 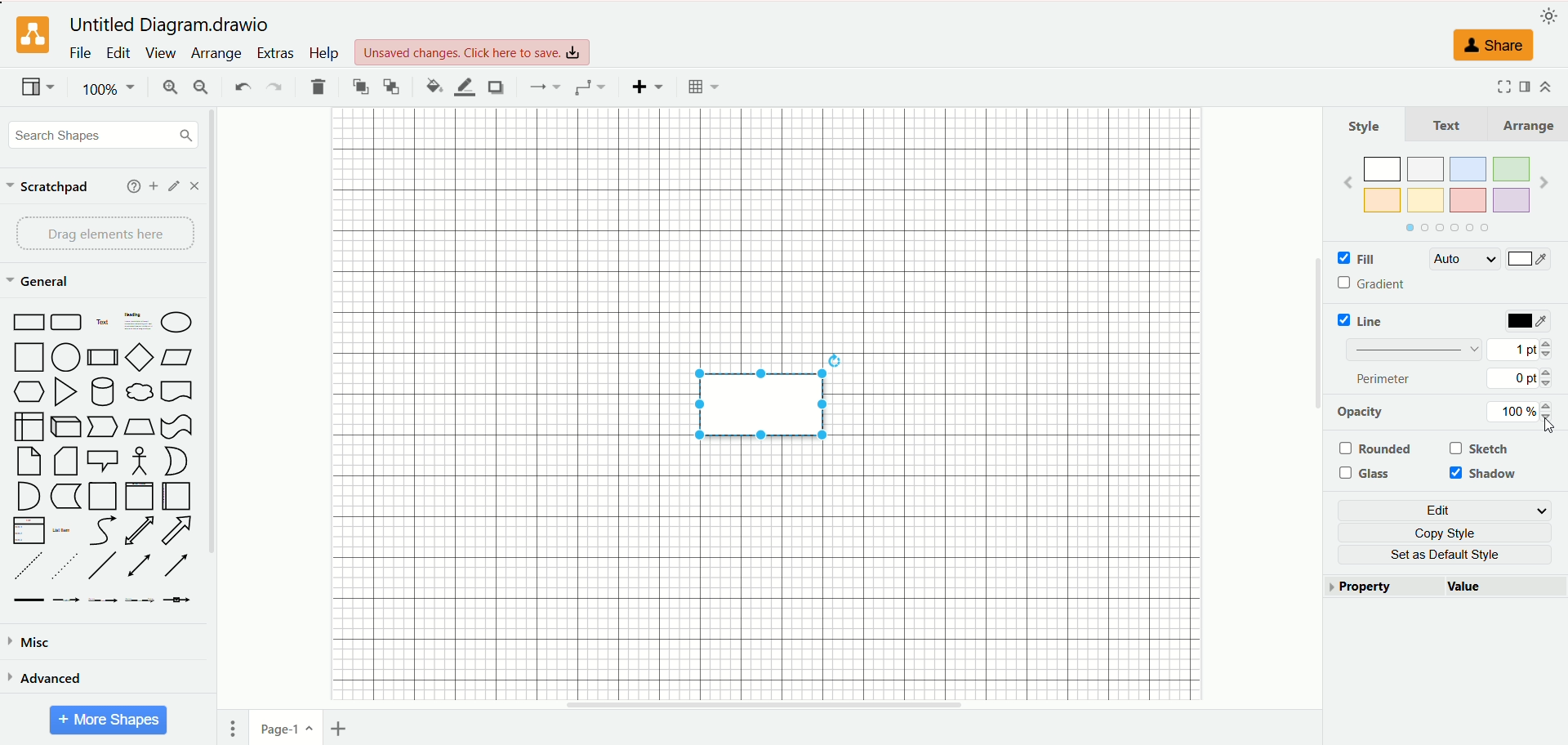 What do you see at coordinates (42, 283) in the screenshot?
I see `general` at bounding box center [42, 283].